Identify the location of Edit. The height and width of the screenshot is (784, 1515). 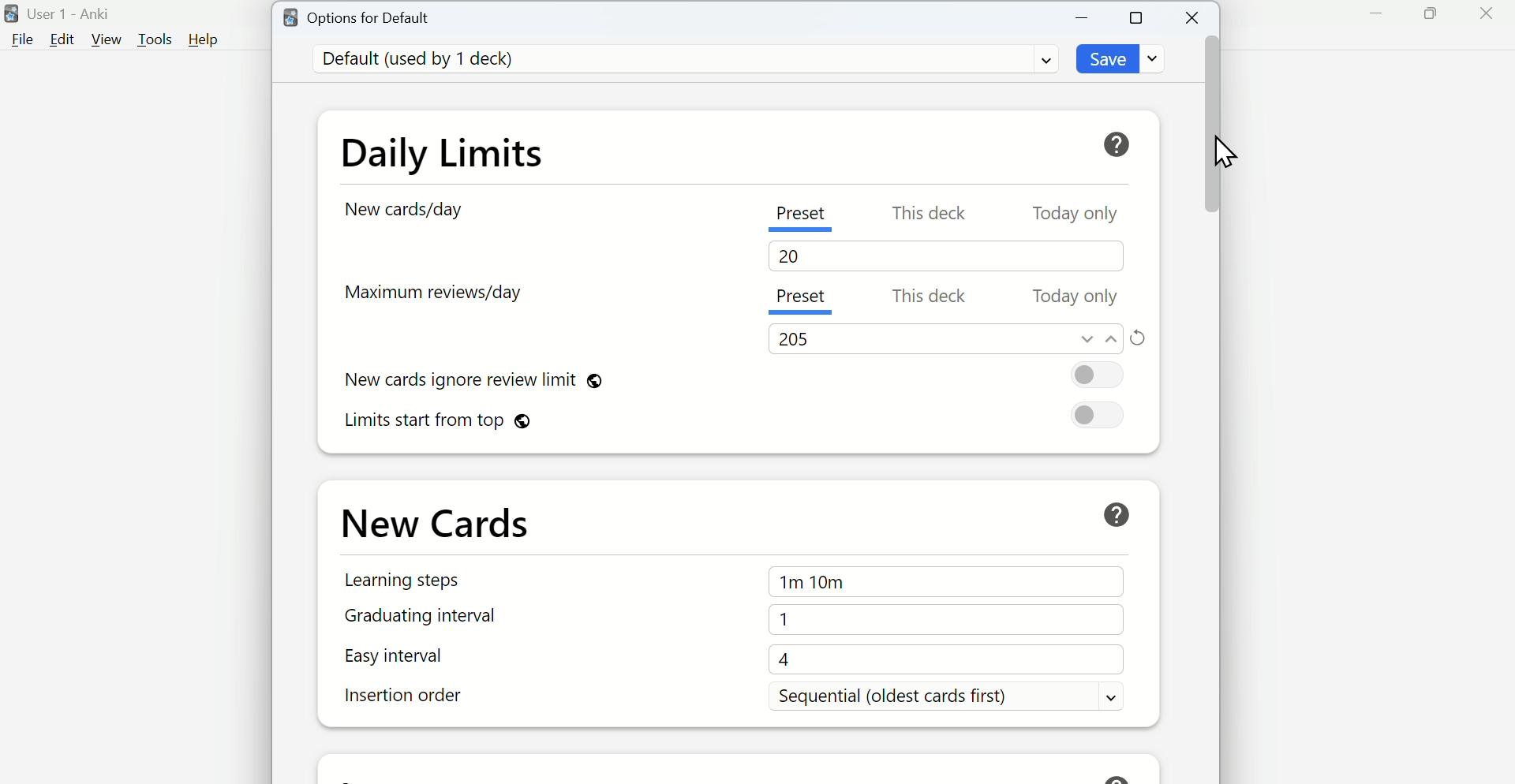
(62, 39).